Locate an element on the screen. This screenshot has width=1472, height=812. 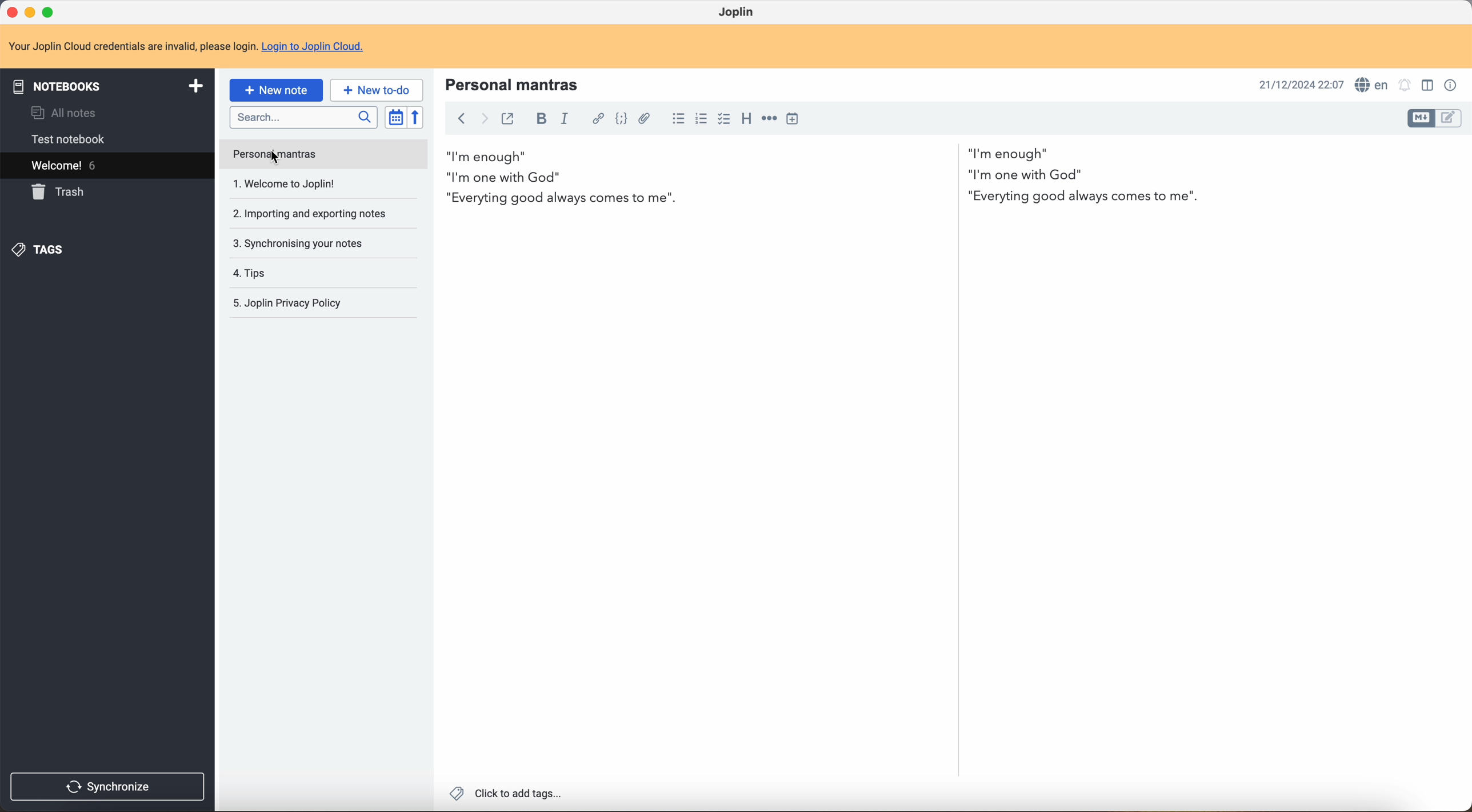
numbered list is located at coordinates (703, 118).